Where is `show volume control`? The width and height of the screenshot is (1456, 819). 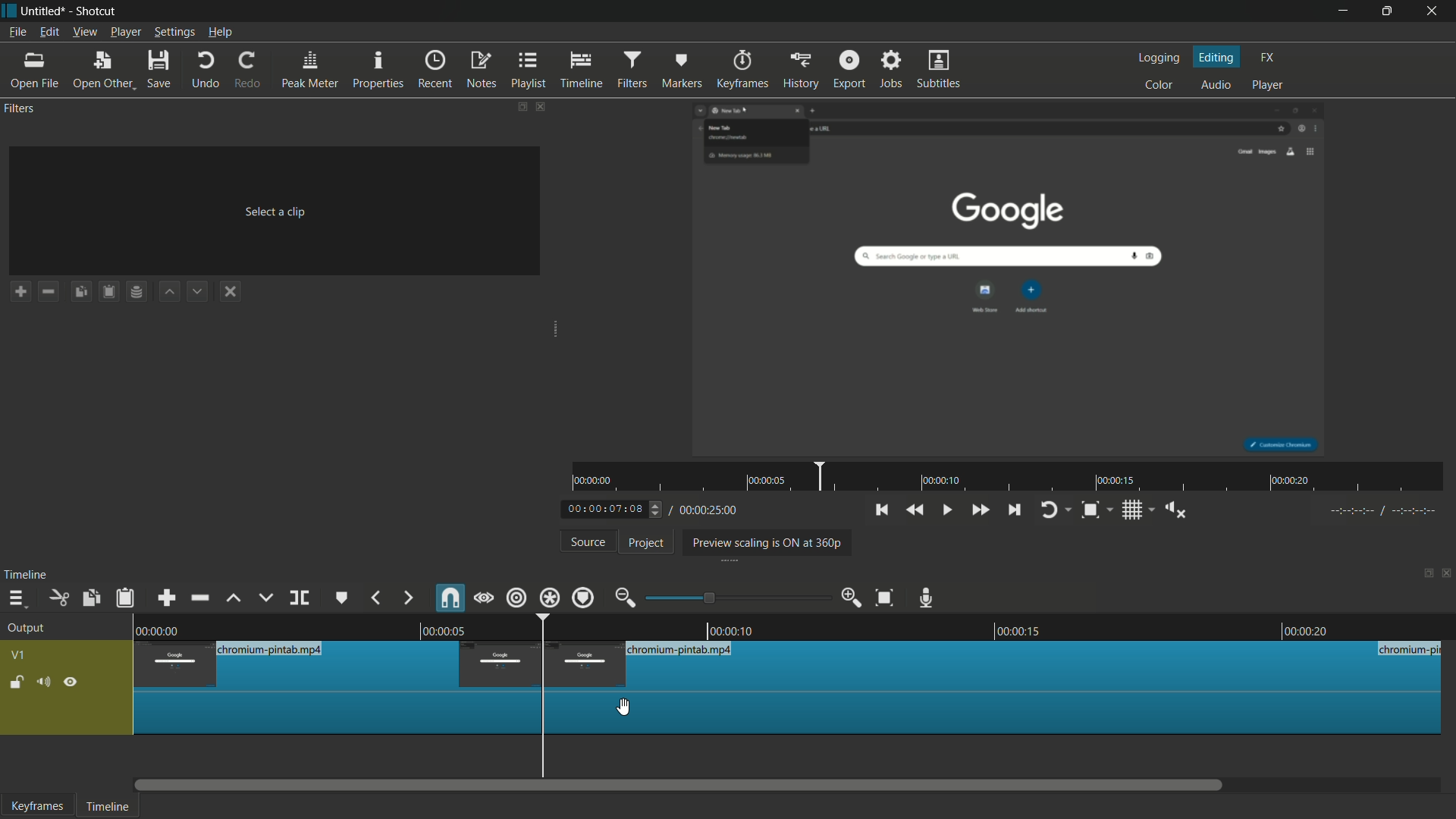
show volume control is located at coordinates (1181, 510).